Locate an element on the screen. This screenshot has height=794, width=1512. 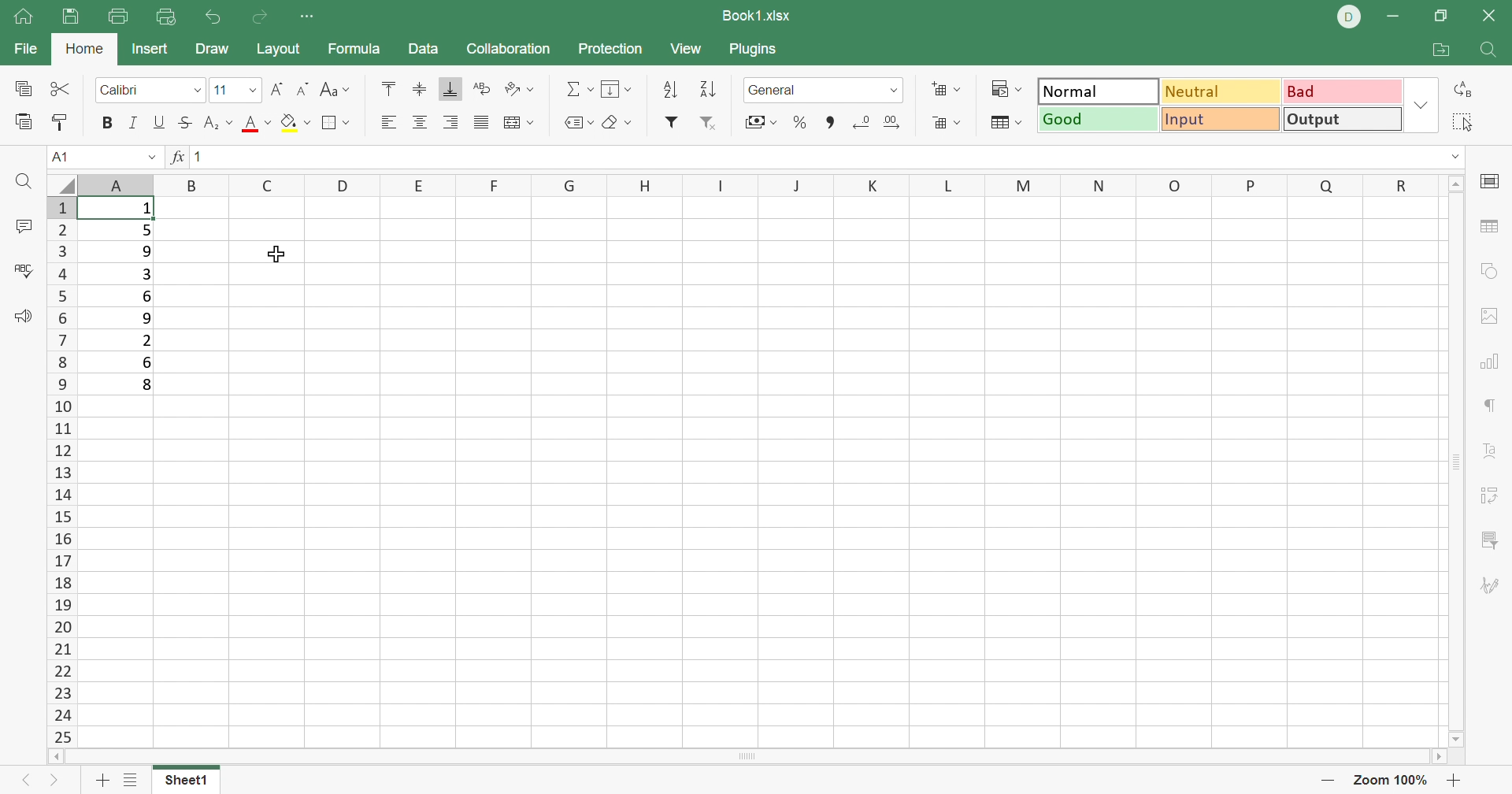
Restore Down is located at coordinates (1440, 14).